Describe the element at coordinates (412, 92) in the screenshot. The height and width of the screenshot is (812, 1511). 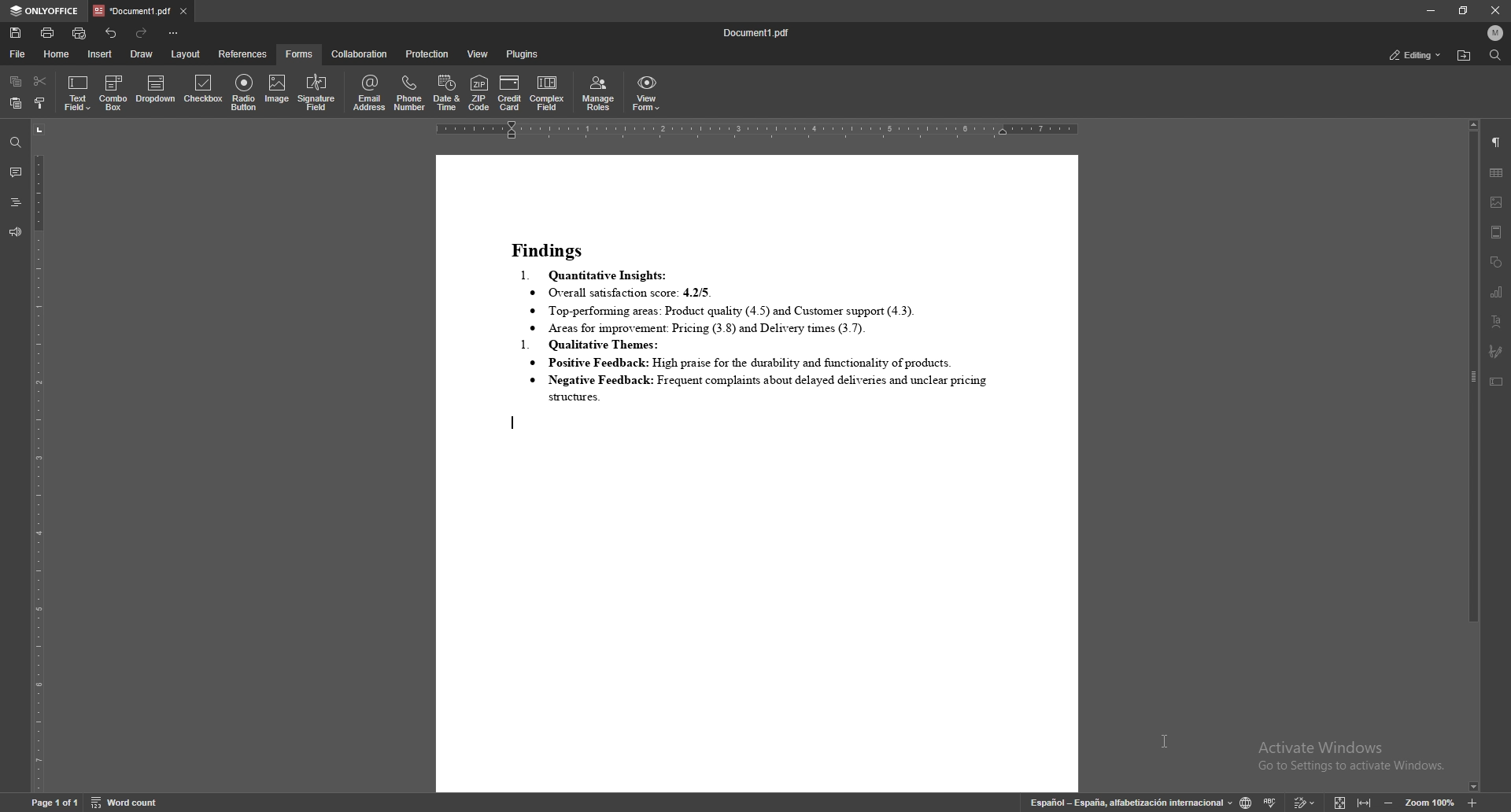
I see `phone number` at that location.